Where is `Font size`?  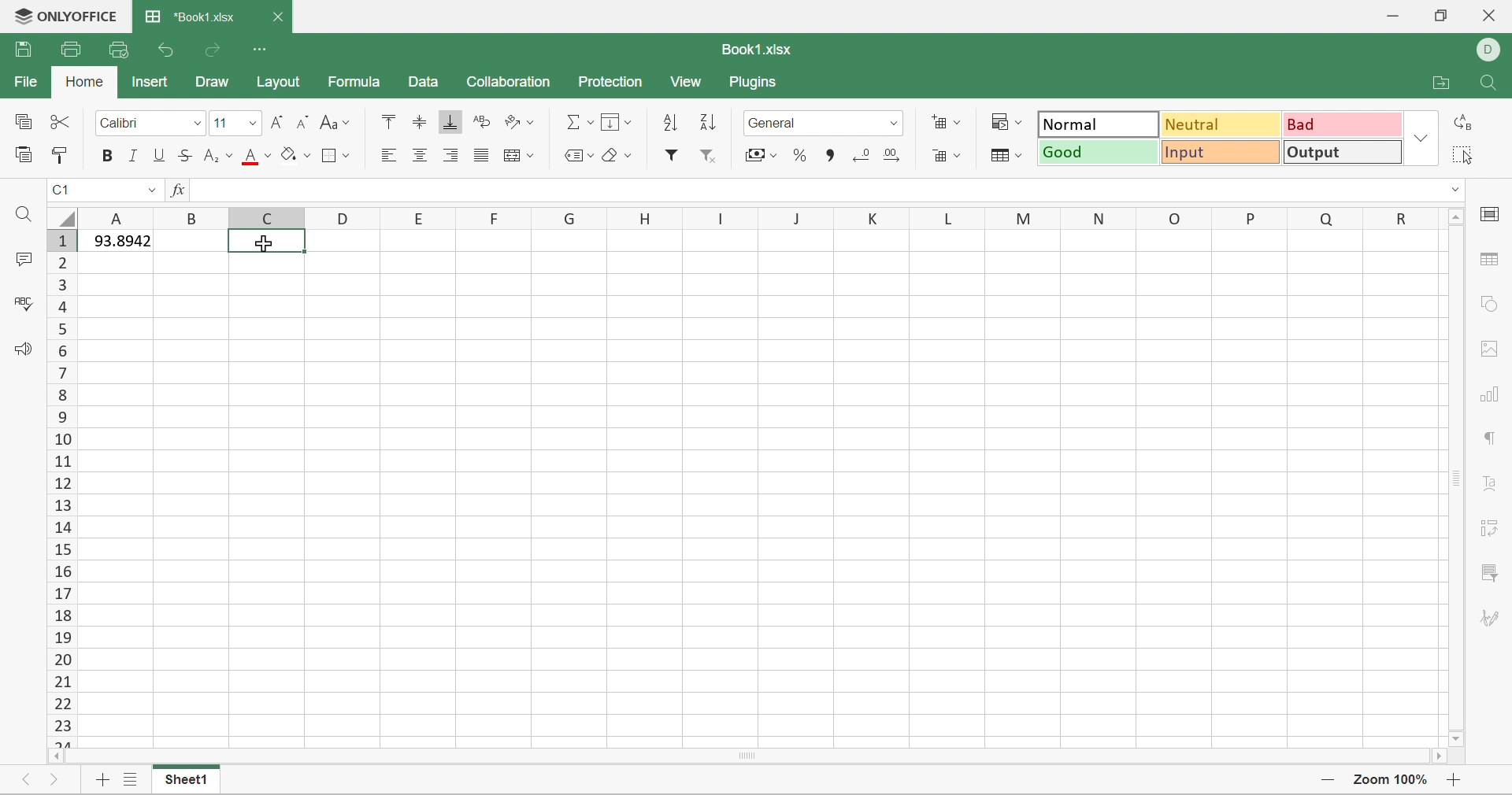
Font size is located at coordinates (221, 123).